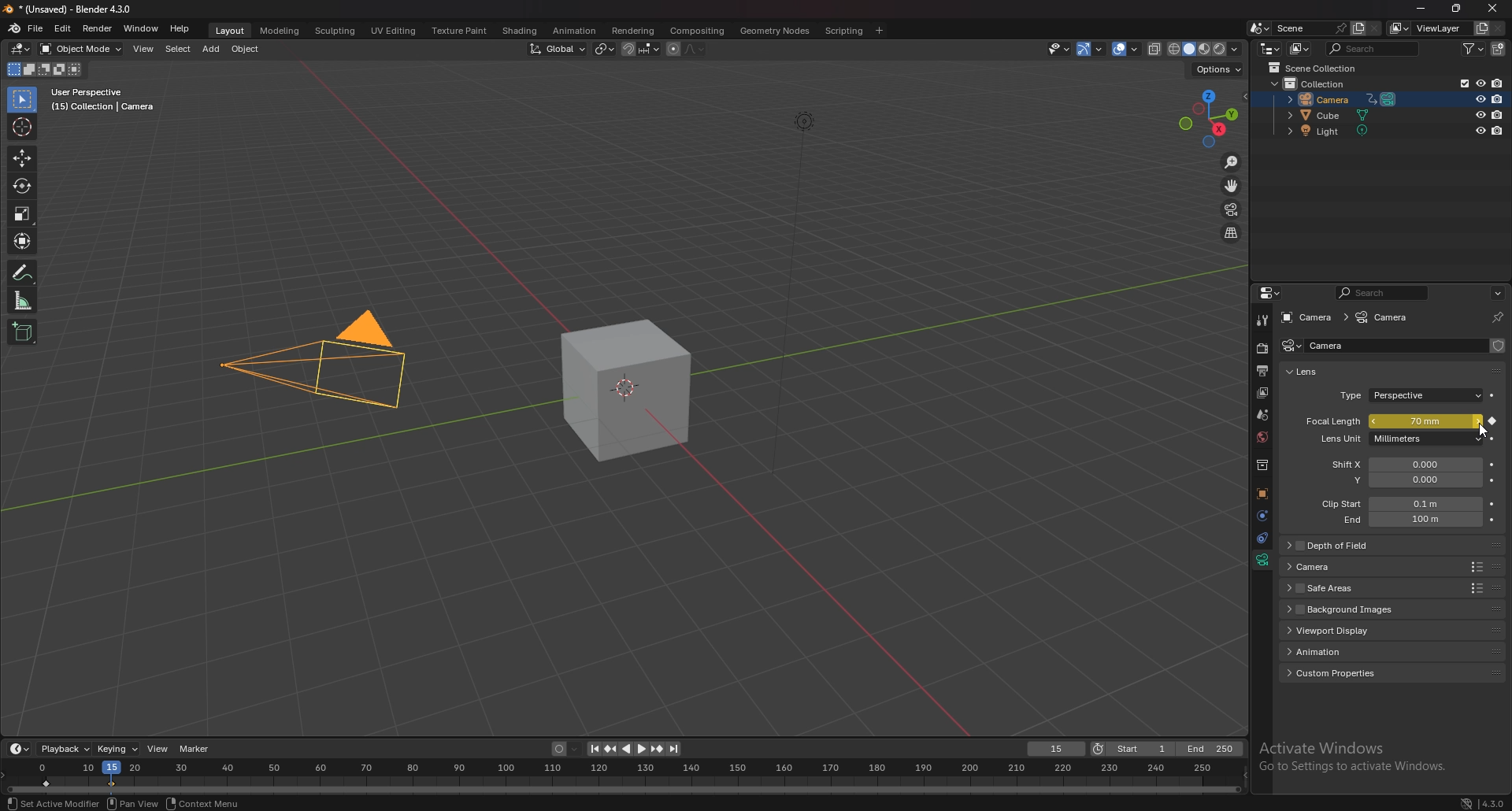 The width and height of the screenshot is (1512, 811). I want to click on options, so click(1497, 291).